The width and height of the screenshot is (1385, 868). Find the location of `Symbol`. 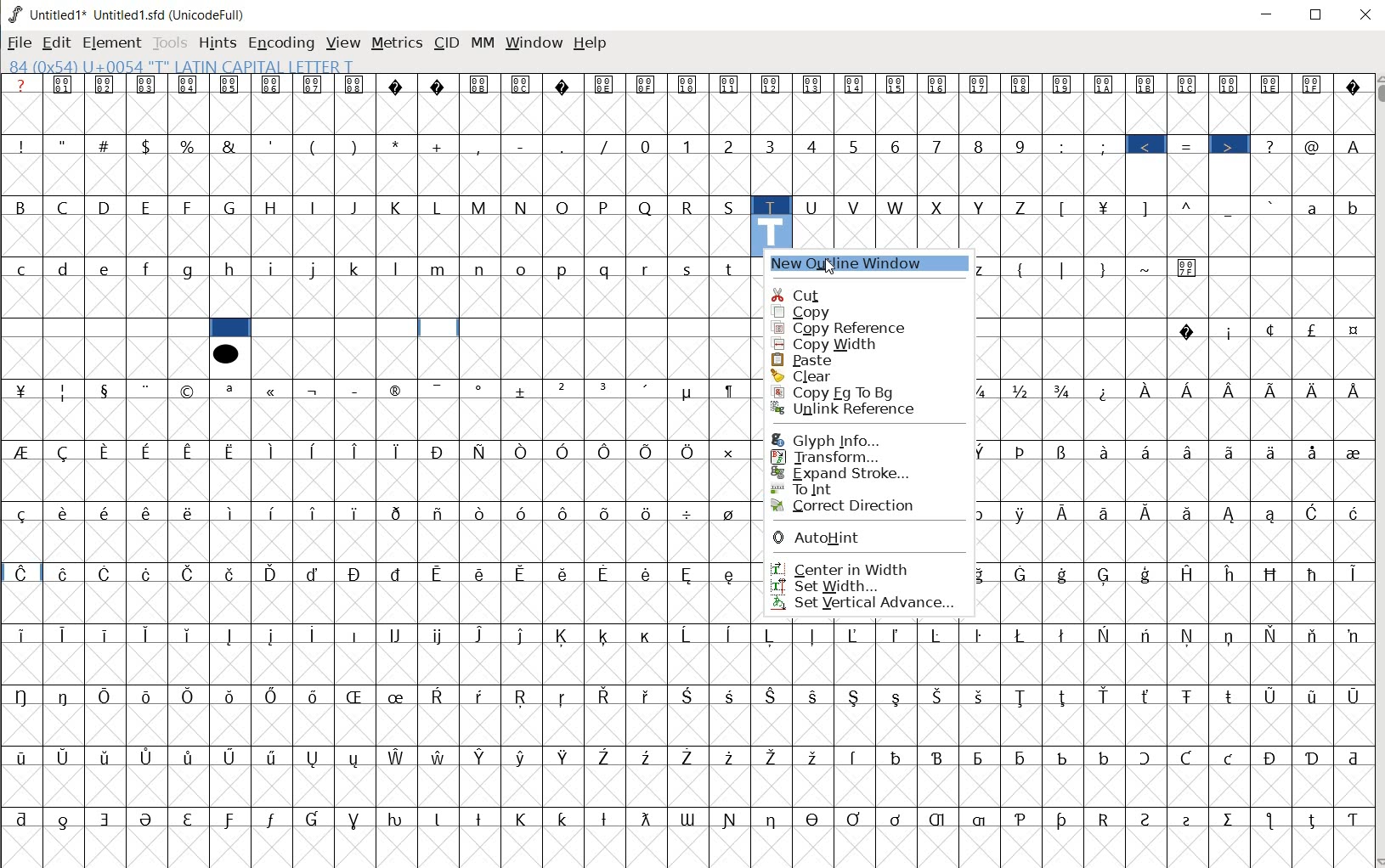

Symbol is located at coordinates (856, 636).